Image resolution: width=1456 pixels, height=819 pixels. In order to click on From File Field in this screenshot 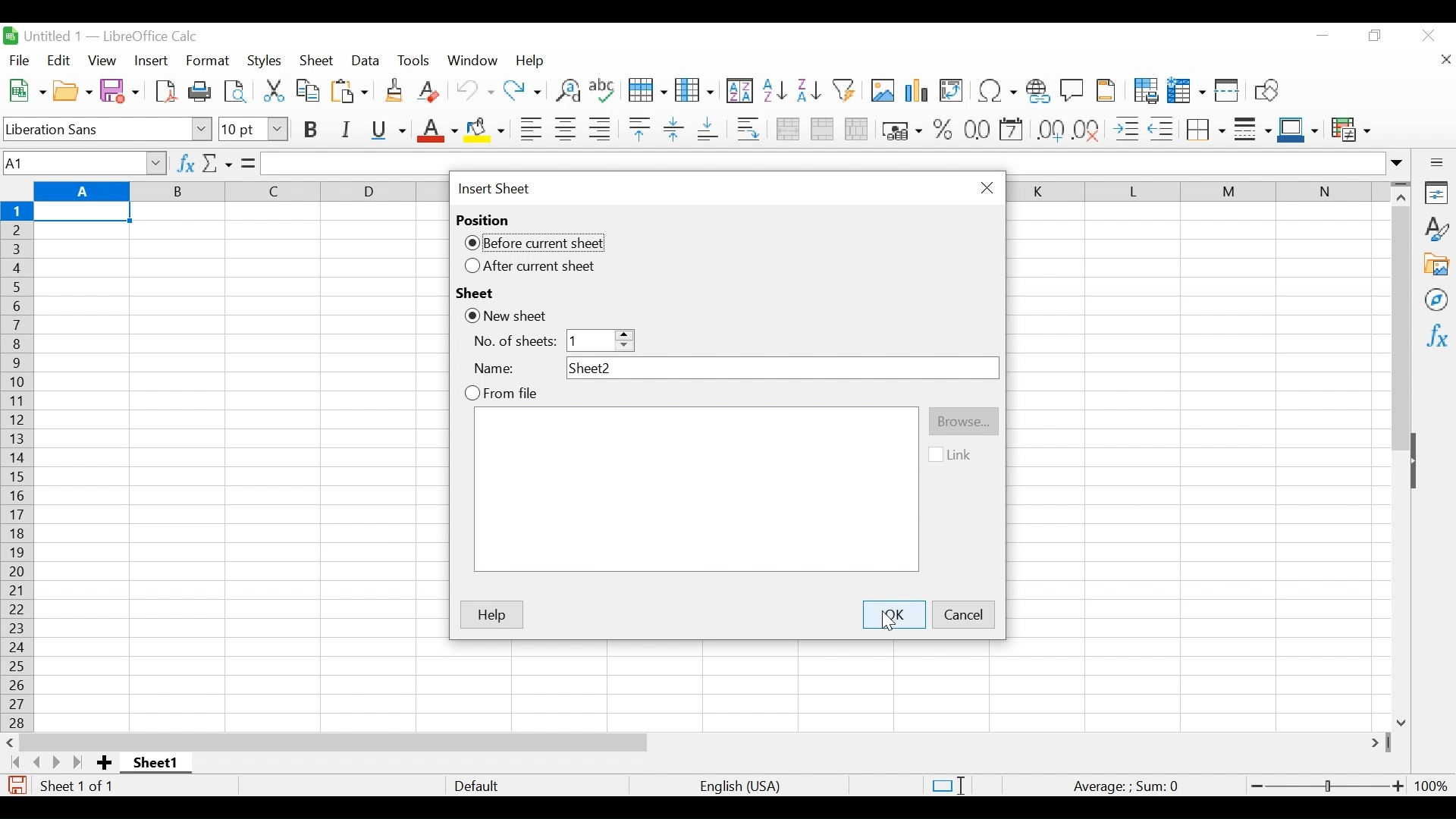, I will do `click(697, 489)`.